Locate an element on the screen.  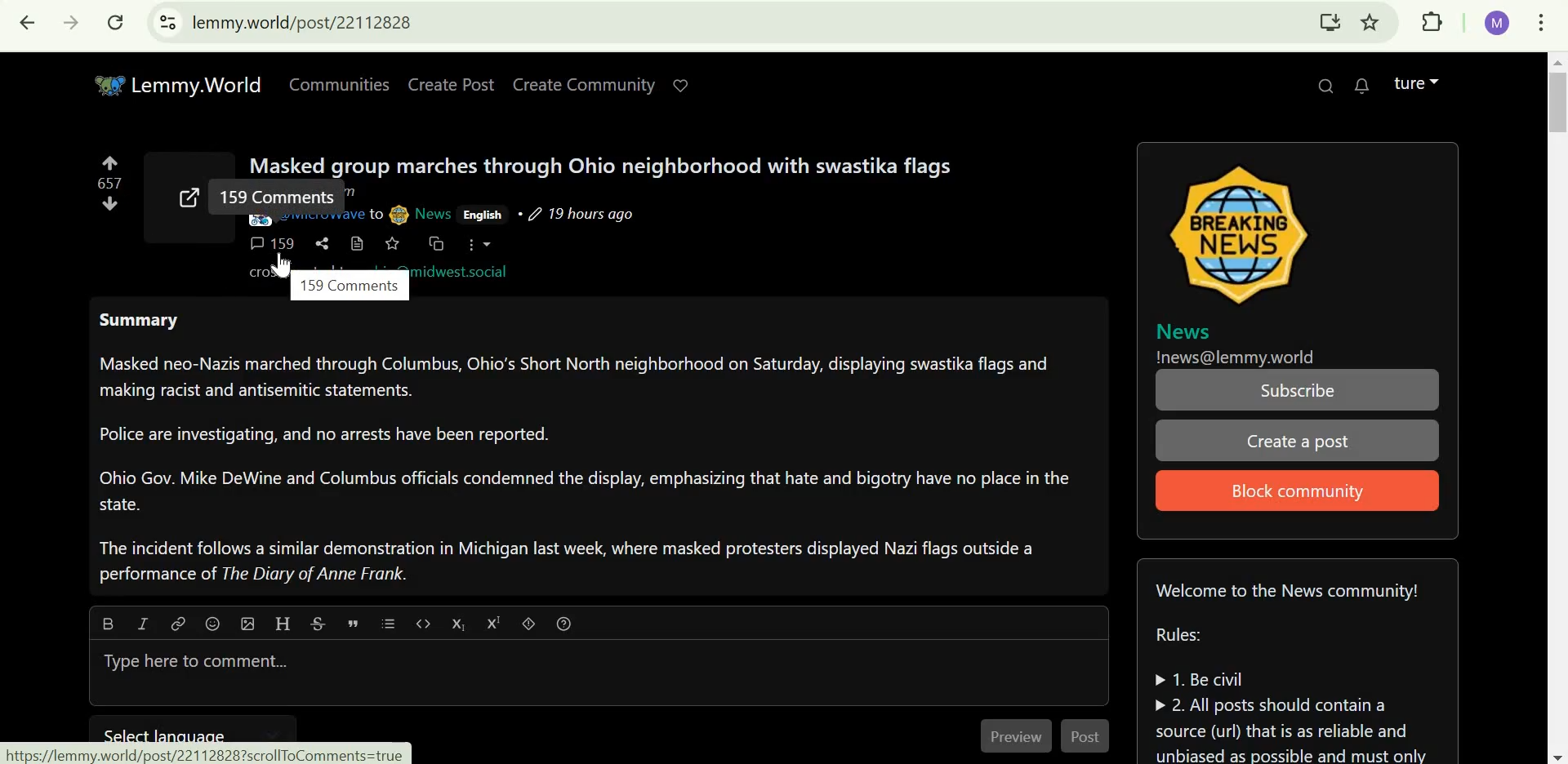
strikethrough is located at coordinates (316, 624).